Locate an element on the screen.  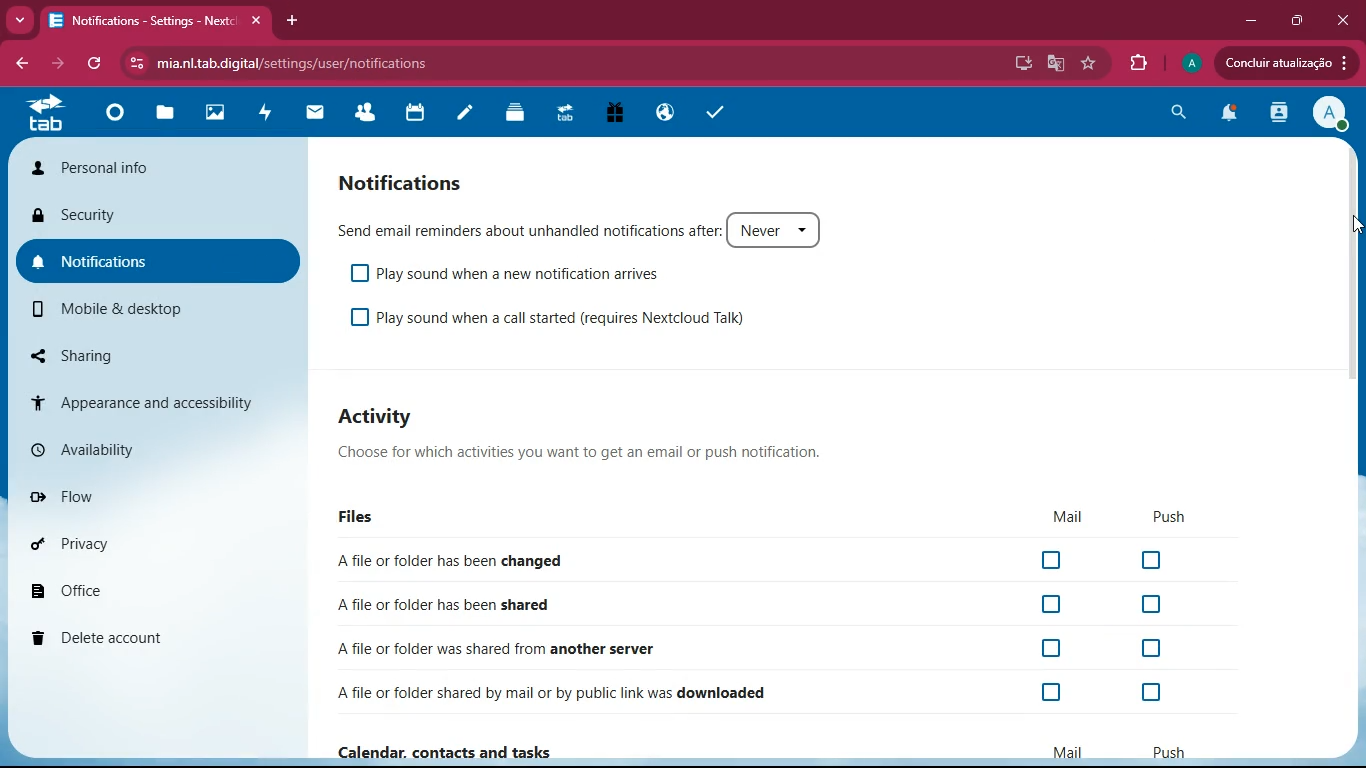
off is located at coordinates (1048, 561).